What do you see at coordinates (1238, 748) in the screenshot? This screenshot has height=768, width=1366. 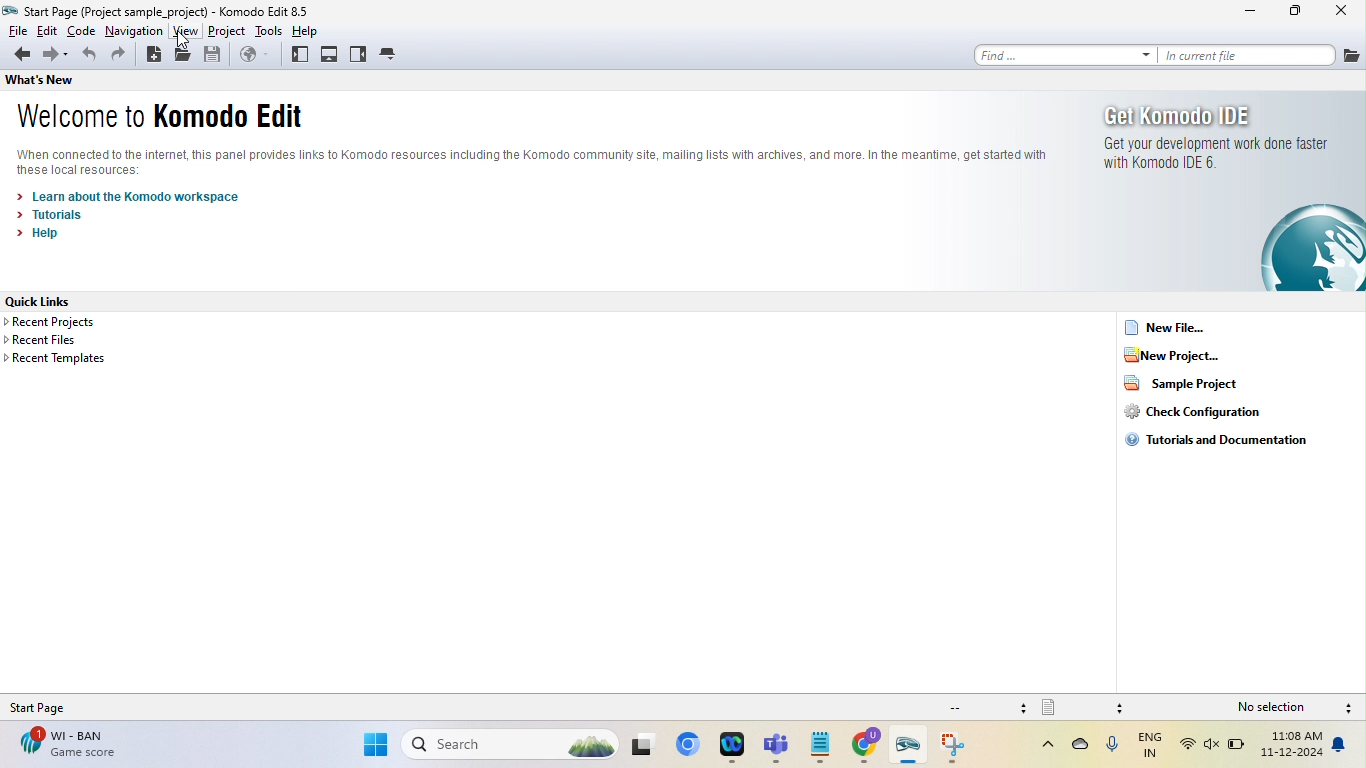 I see `battery` at bounding box center [1238, 748].